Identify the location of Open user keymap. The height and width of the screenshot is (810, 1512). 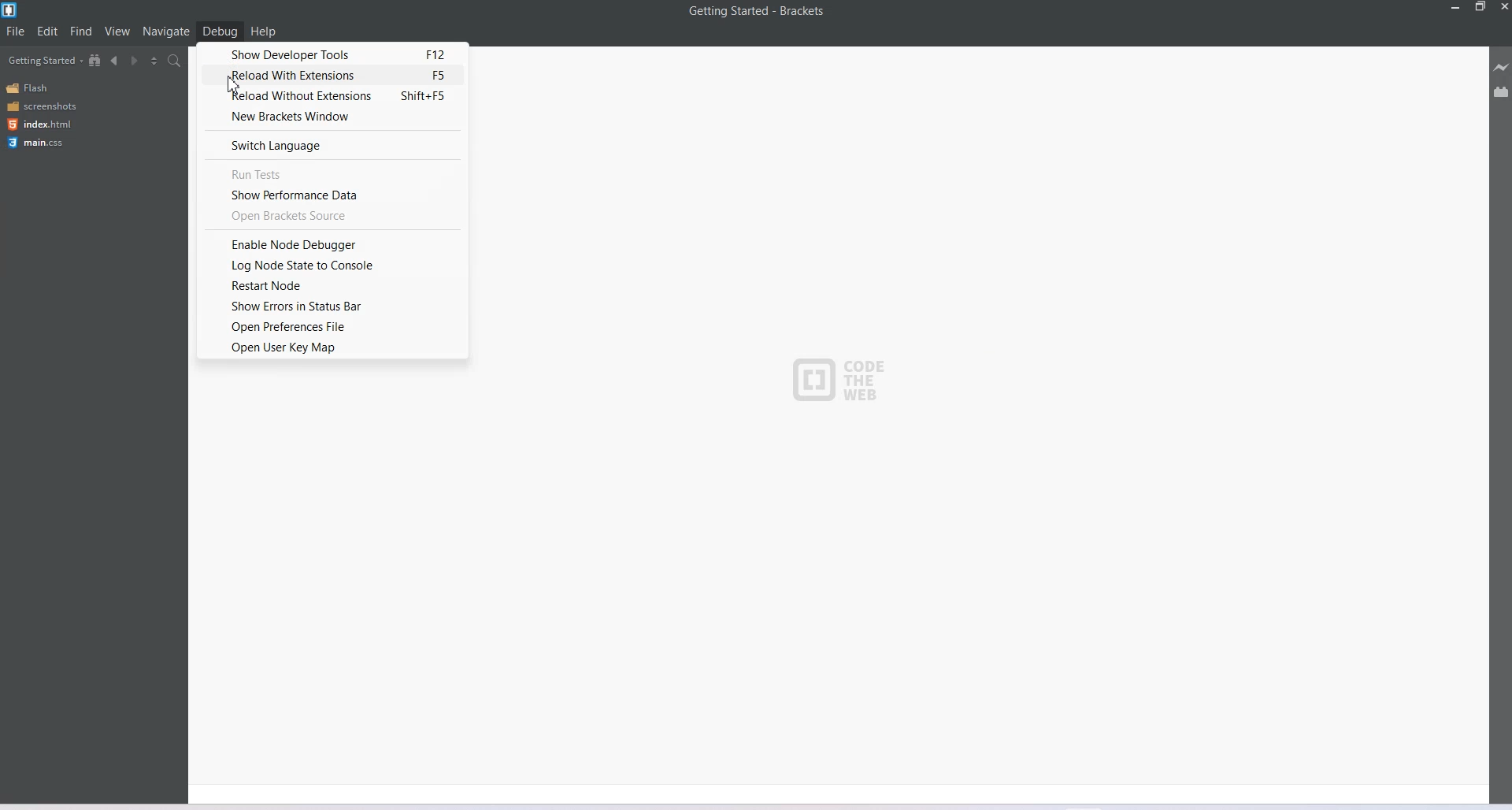
(327, 347).